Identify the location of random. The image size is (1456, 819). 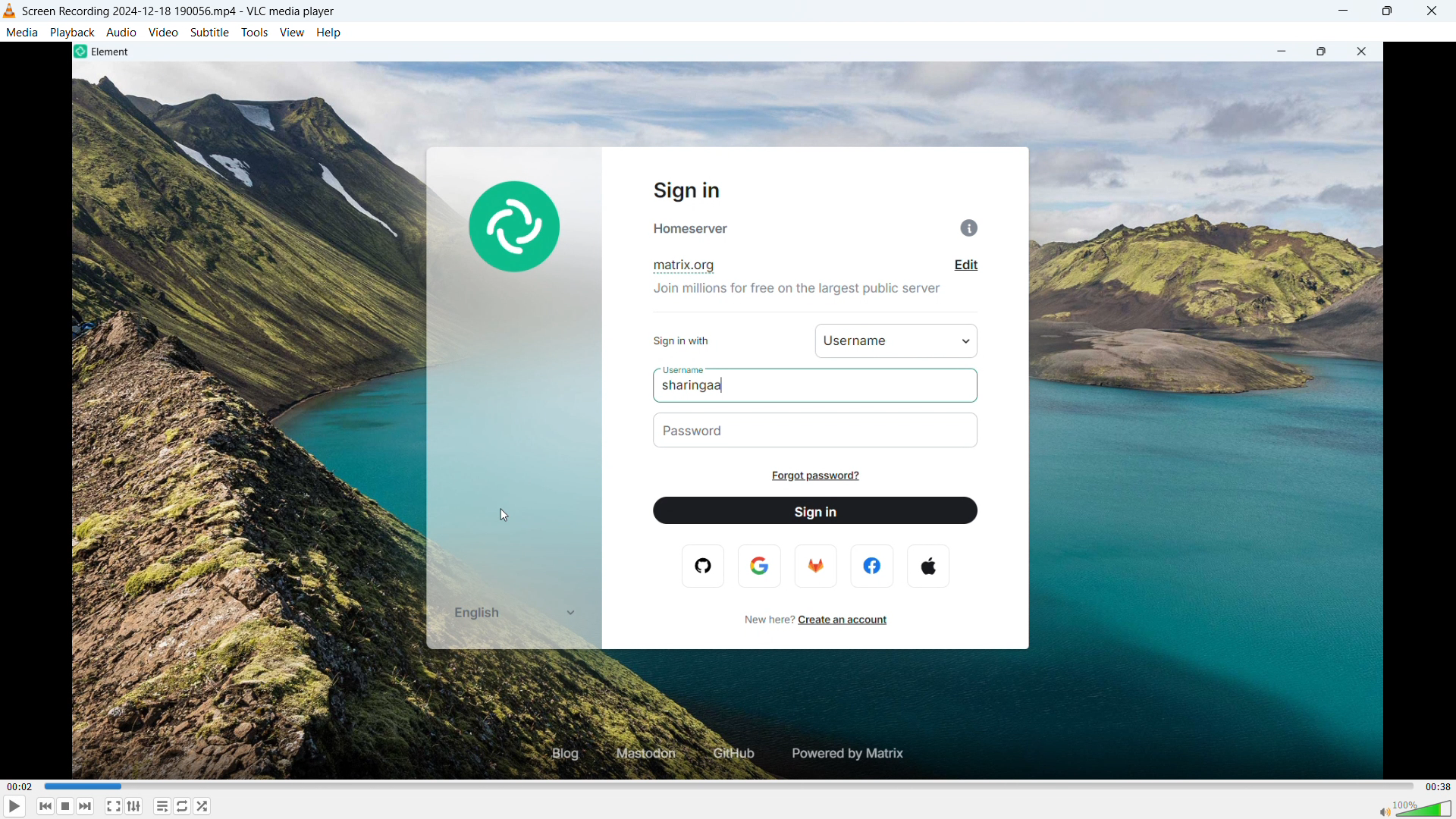
(202, 806).